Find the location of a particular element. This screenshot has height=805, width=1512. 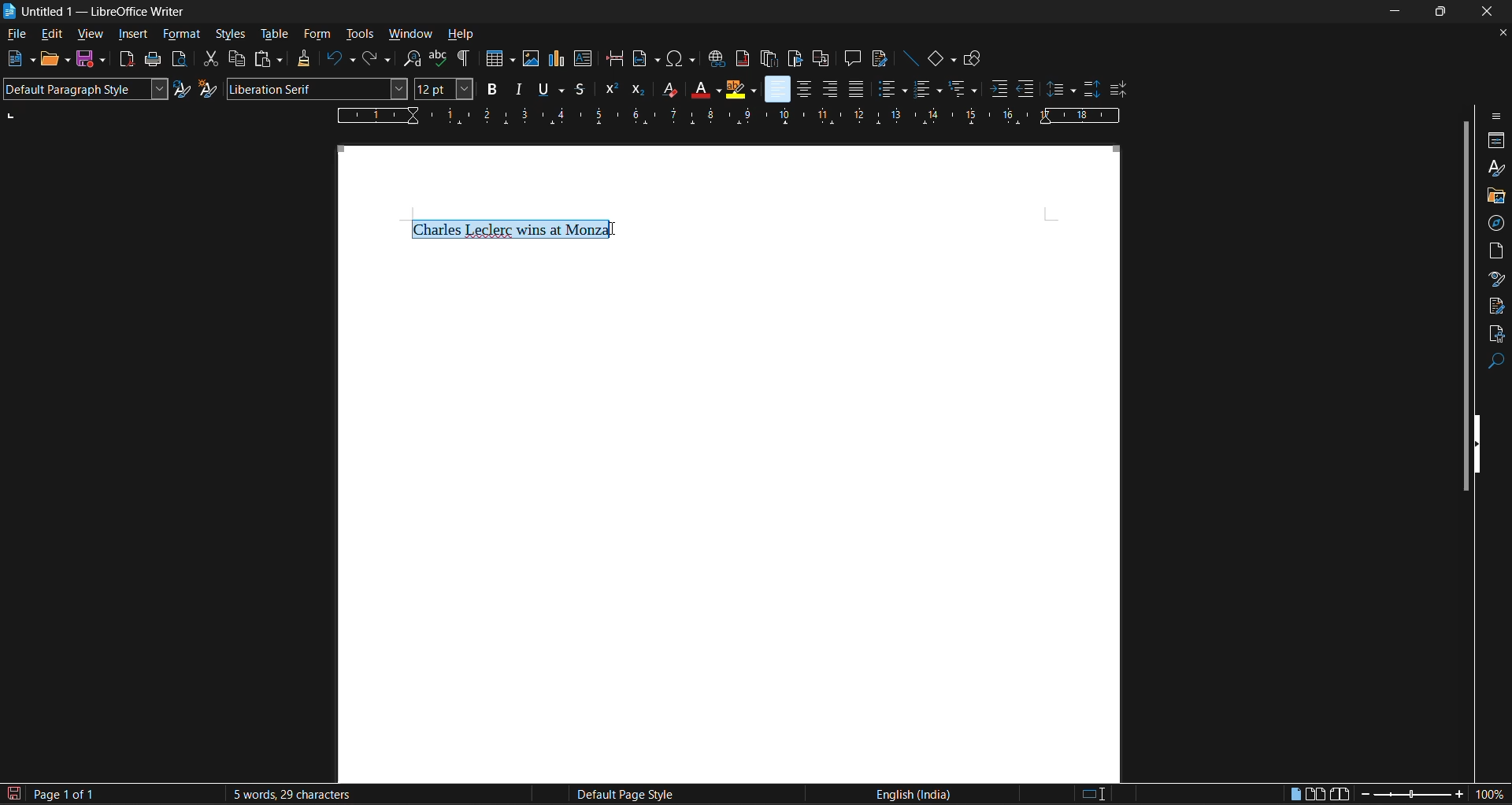

help is located at coordinates (460, 34).